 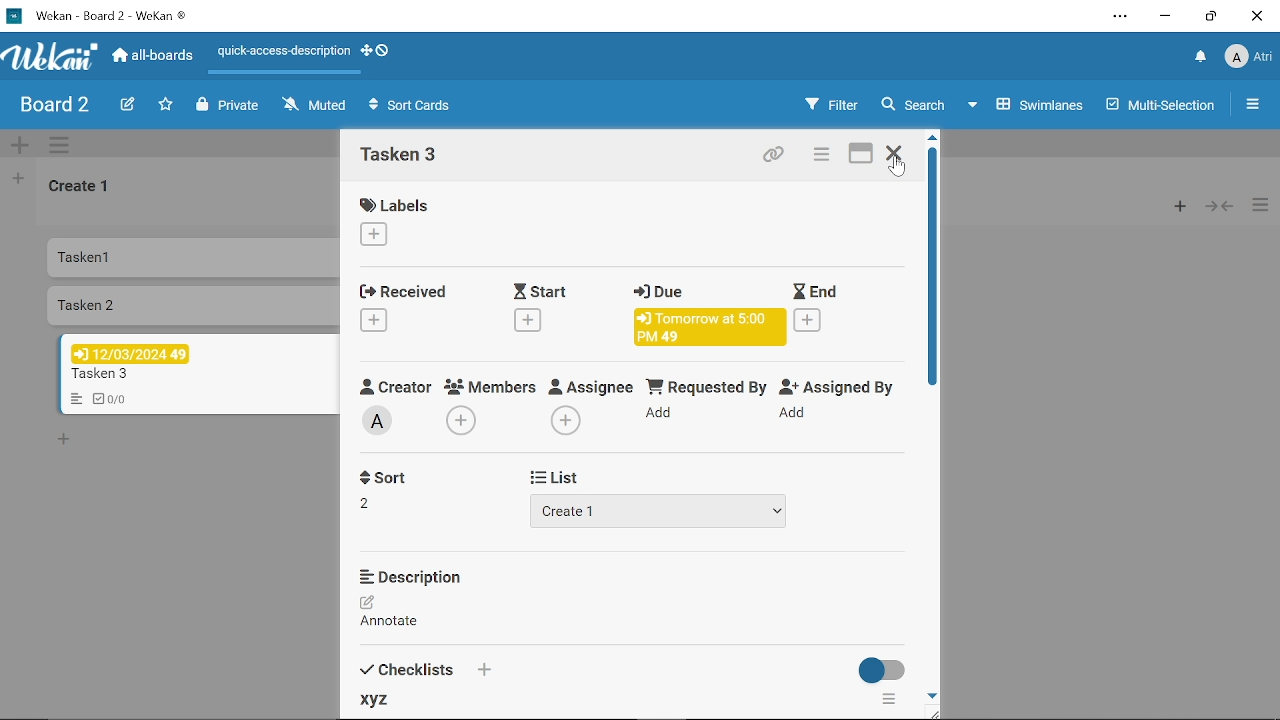 What do you see at coordinates (818, 153) in the screenshot?
I see `Card actions` at bounding box center [818, 153].